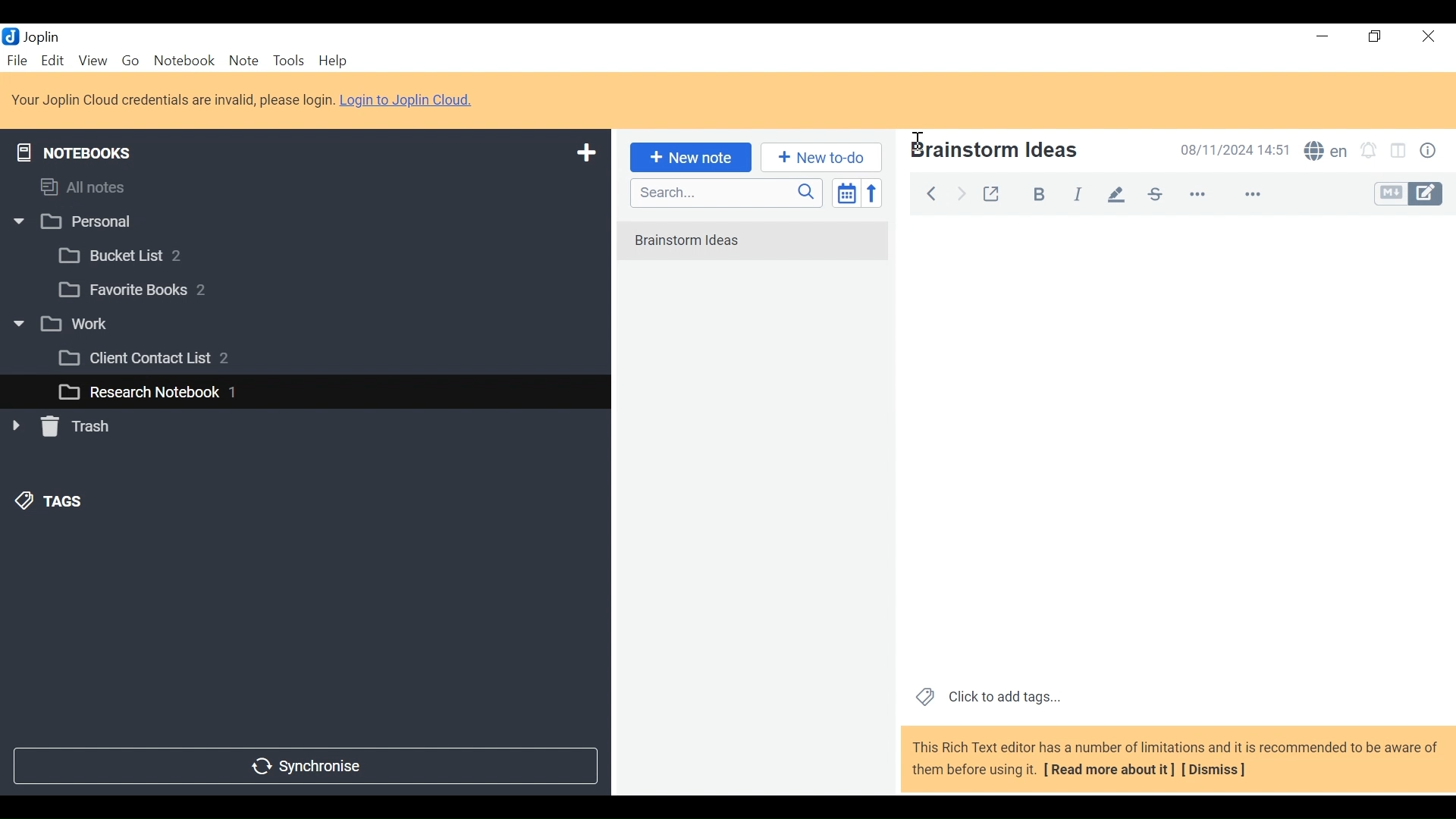 This screenshot has width=1456, height=819. I want to click on Notebooks, so click(85, 149).